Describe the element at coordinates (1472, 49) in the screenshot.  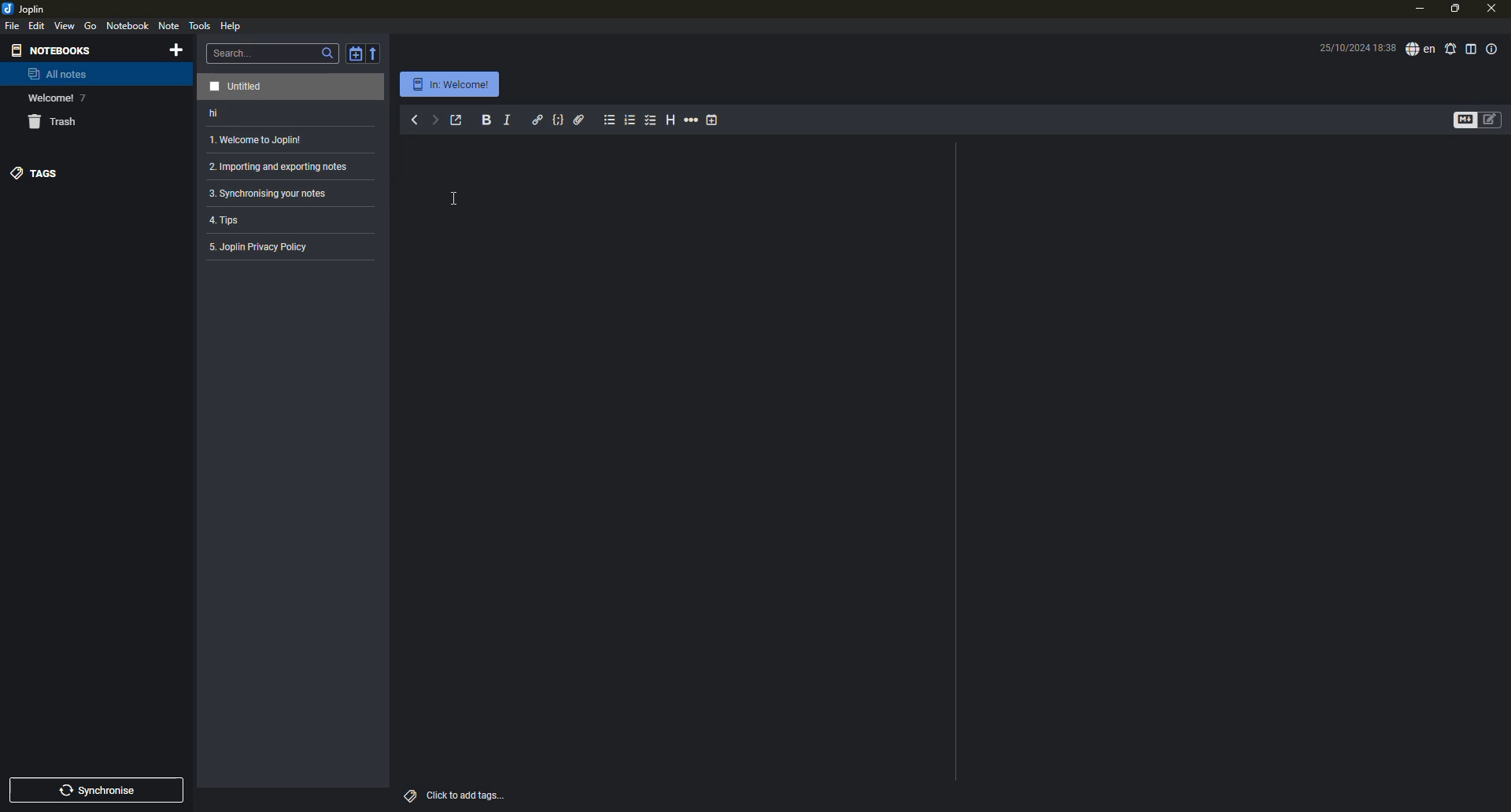
I see `toggle editor layout` at that location.